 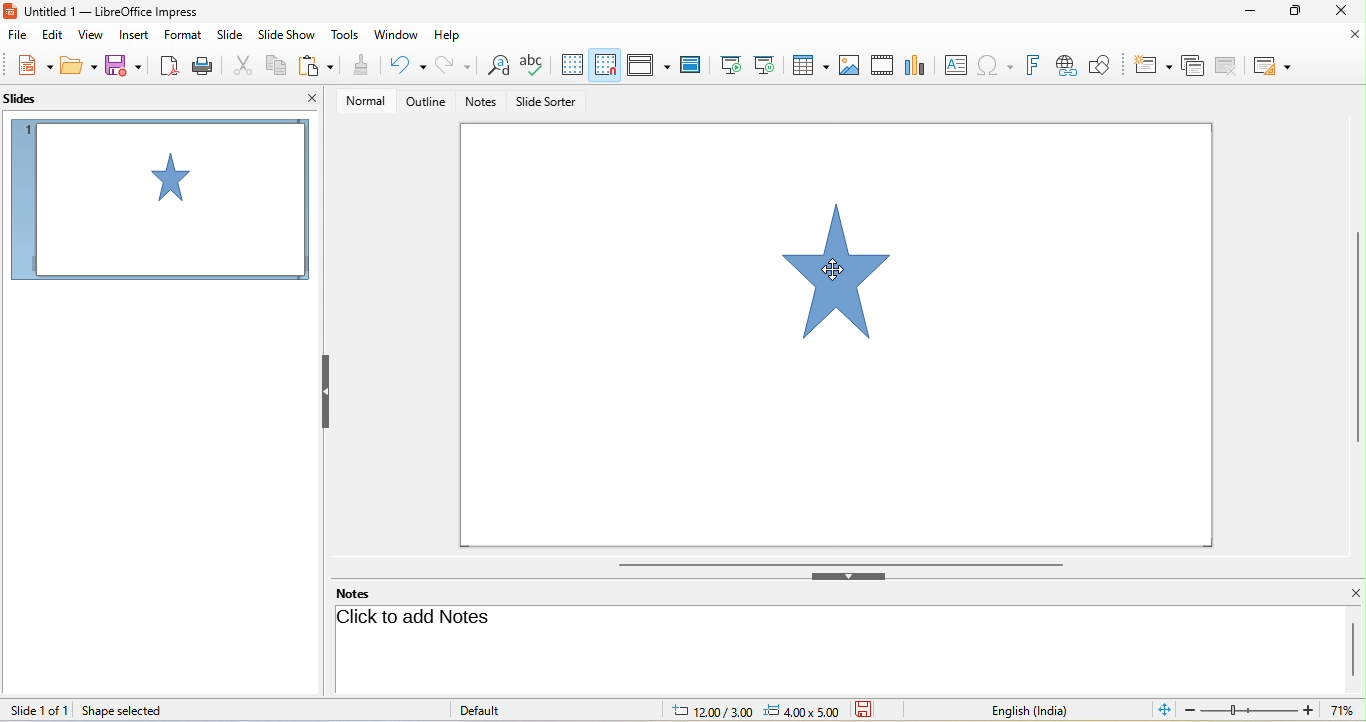 I want to click on slide layout, so click(x=1273, y=67).